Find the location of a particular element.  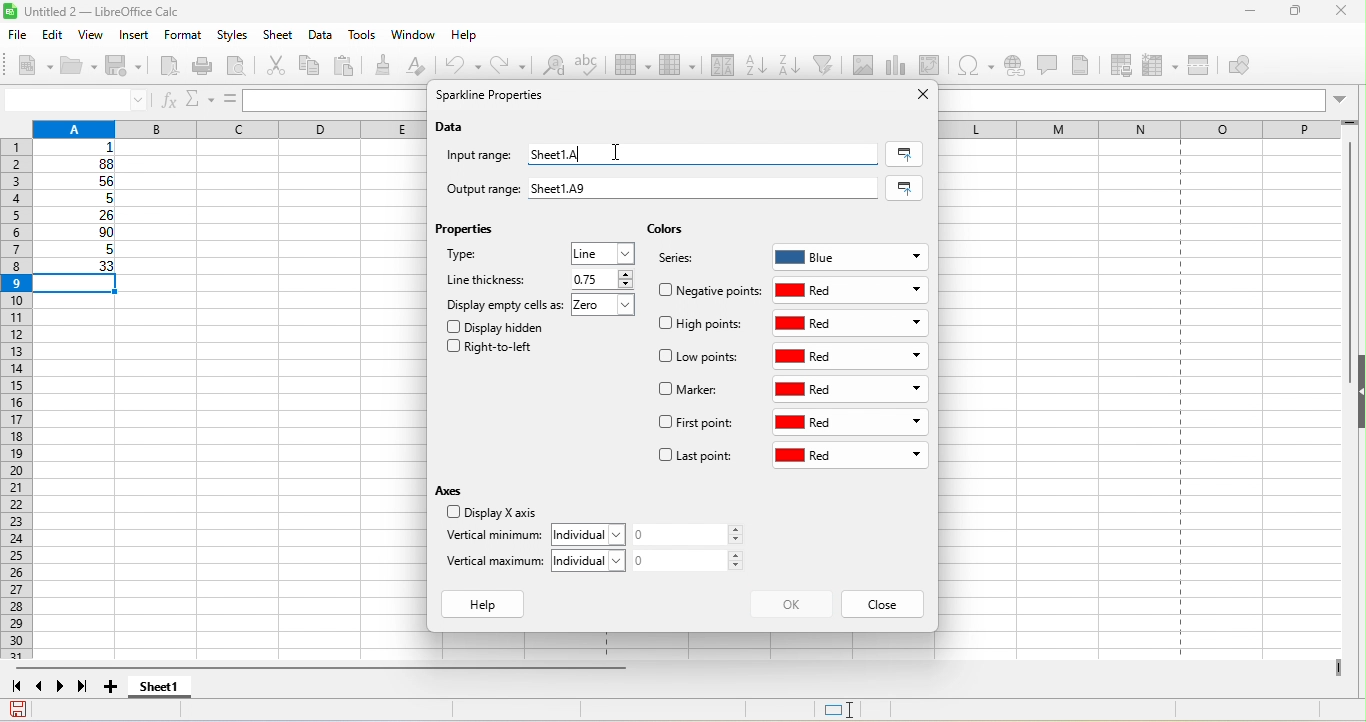

close is located at coordinates (917, 95).